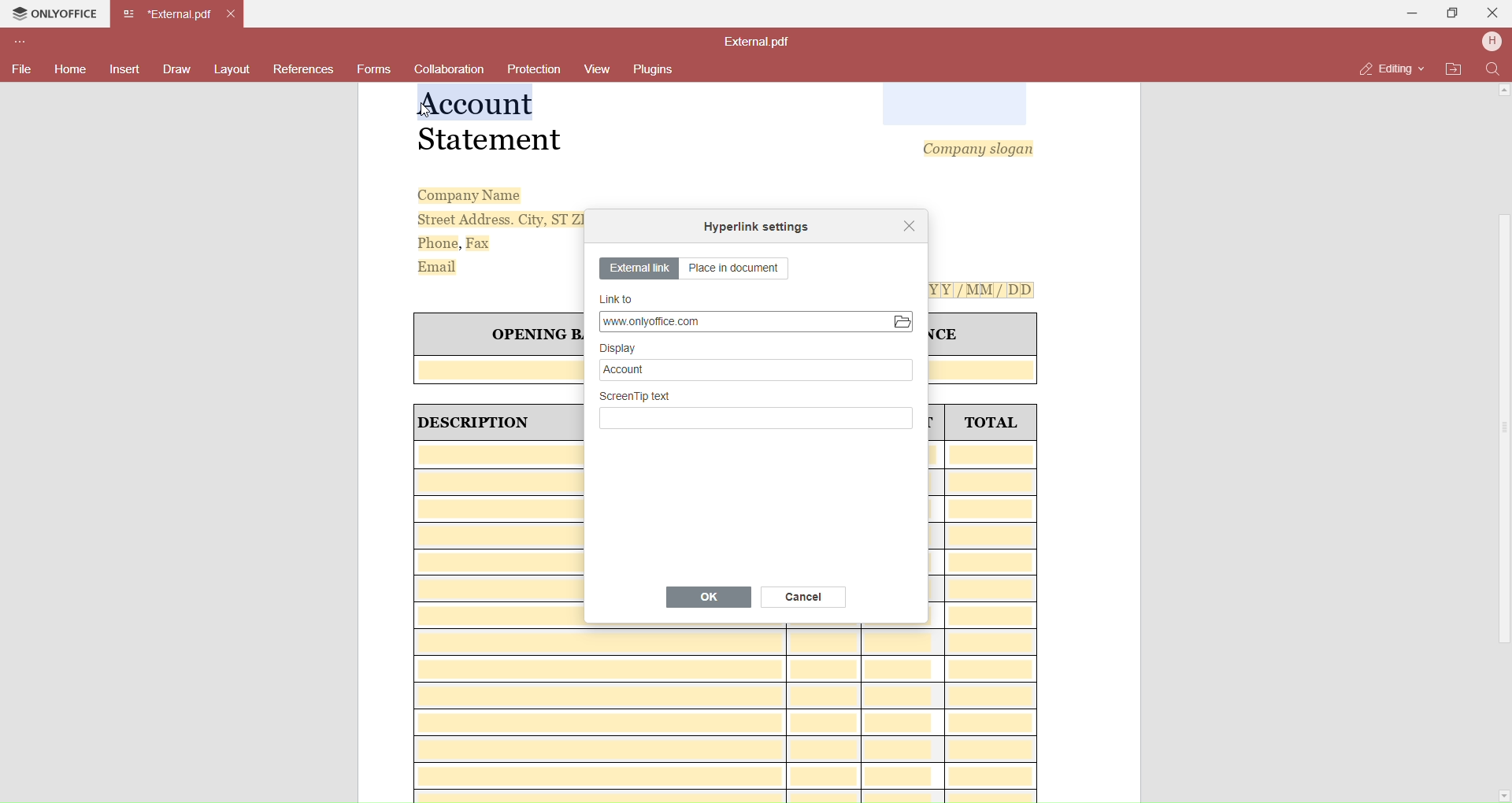 This screenshot has height=803, width=1512. What do you see at coordinates (425, 105) in the screenshot?
I see `cursor` at bounding box center [425, 105].